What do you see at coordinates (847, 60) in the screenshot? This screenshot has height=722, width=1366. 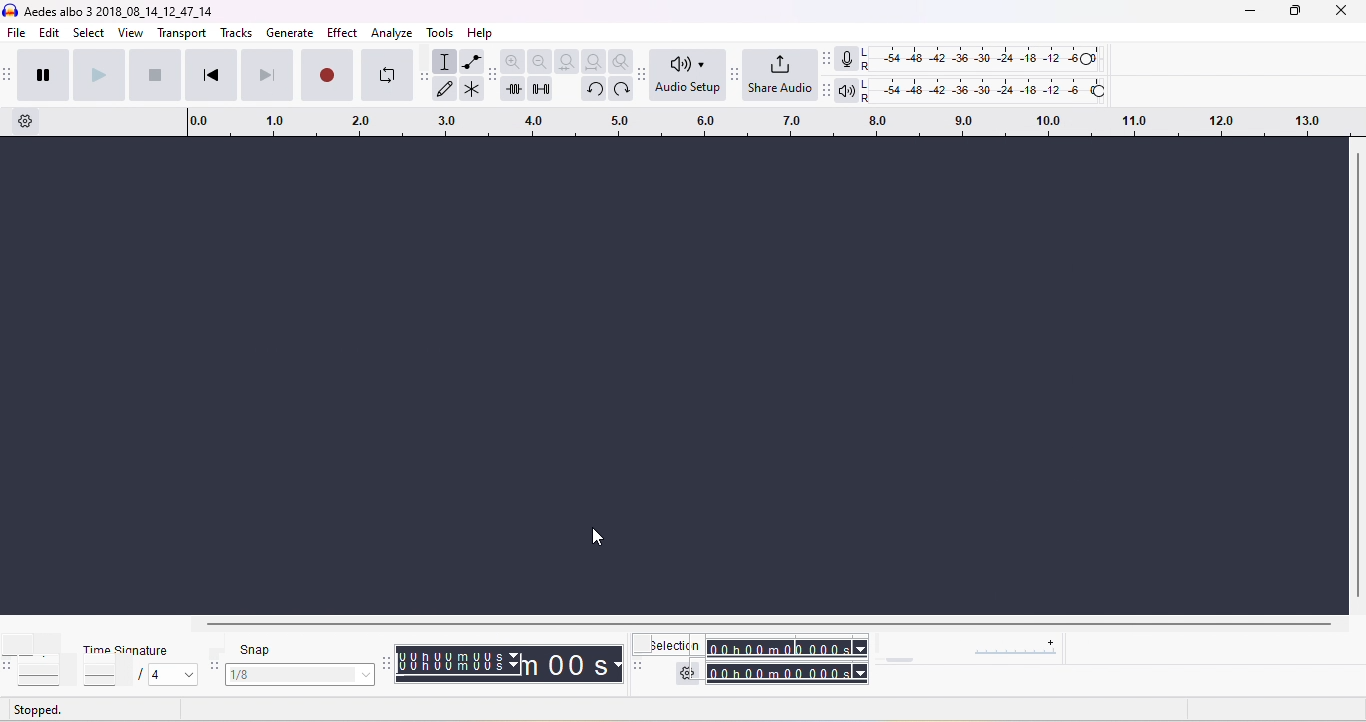 I see `recording meter` at bounding box center [847, 60].